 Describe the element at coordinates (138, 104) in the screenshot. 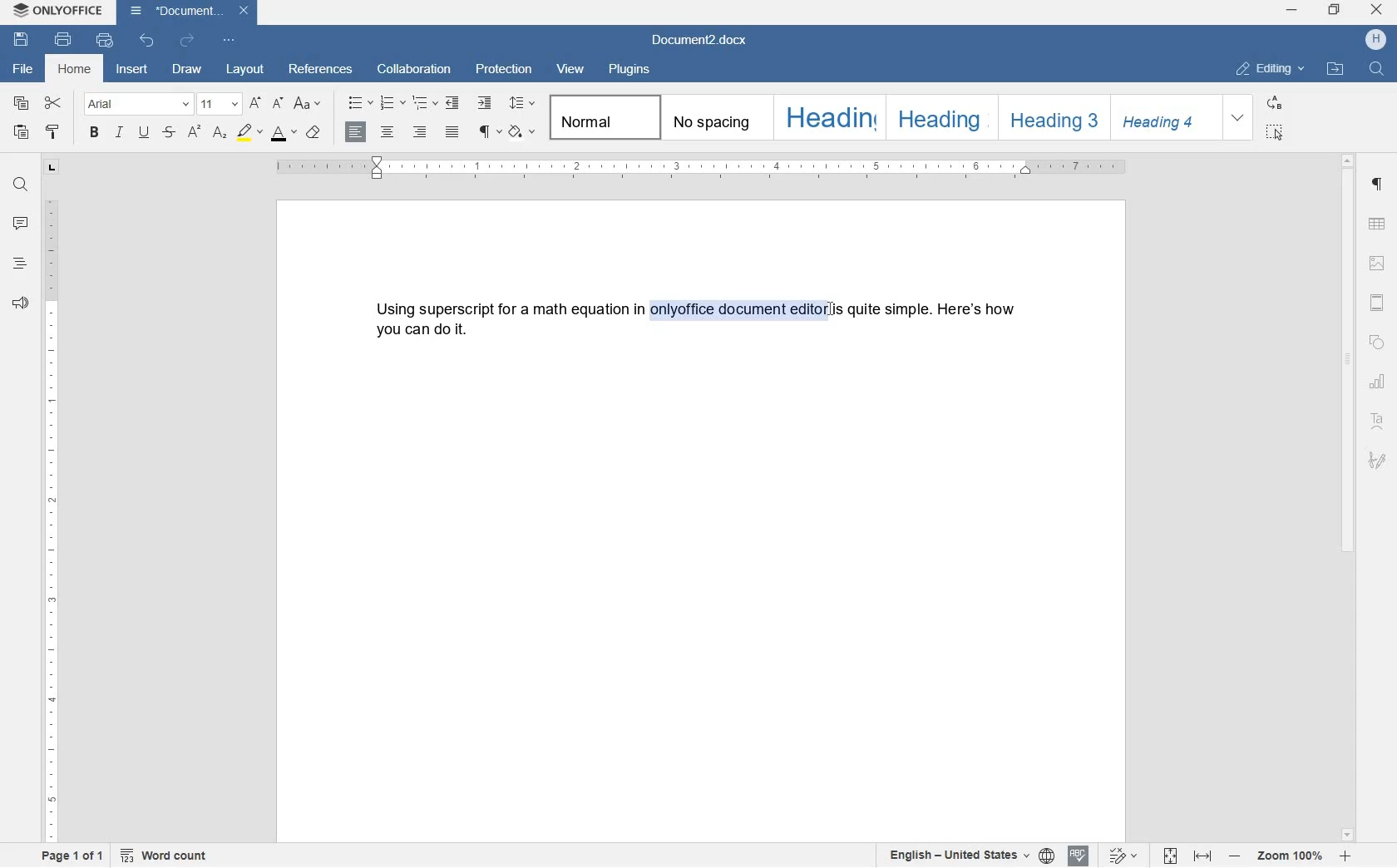

I see `font name` at that location.